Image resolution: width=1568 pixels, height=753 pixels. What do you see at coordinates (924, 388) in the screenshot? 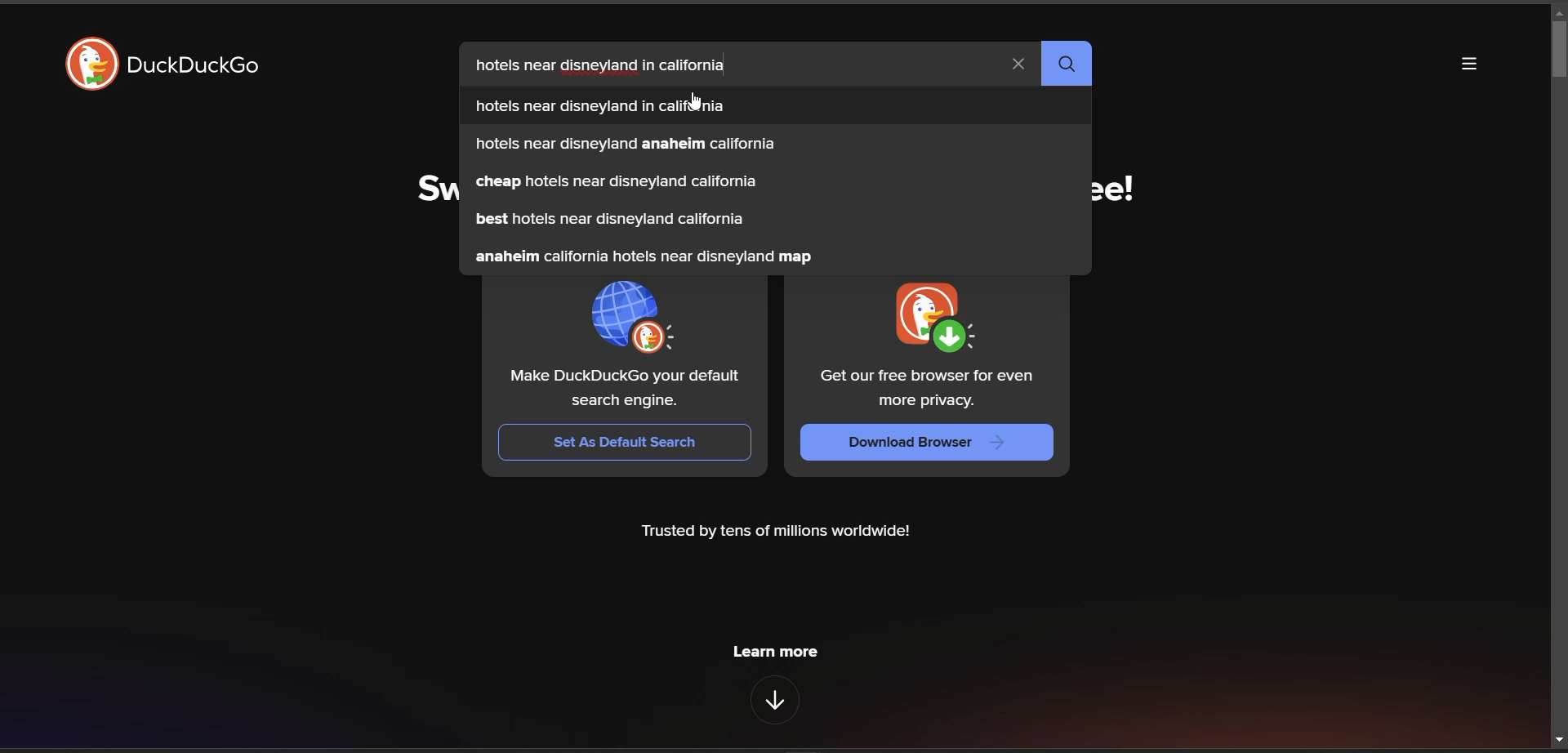
I see `text` at bounding box center [924, 388].